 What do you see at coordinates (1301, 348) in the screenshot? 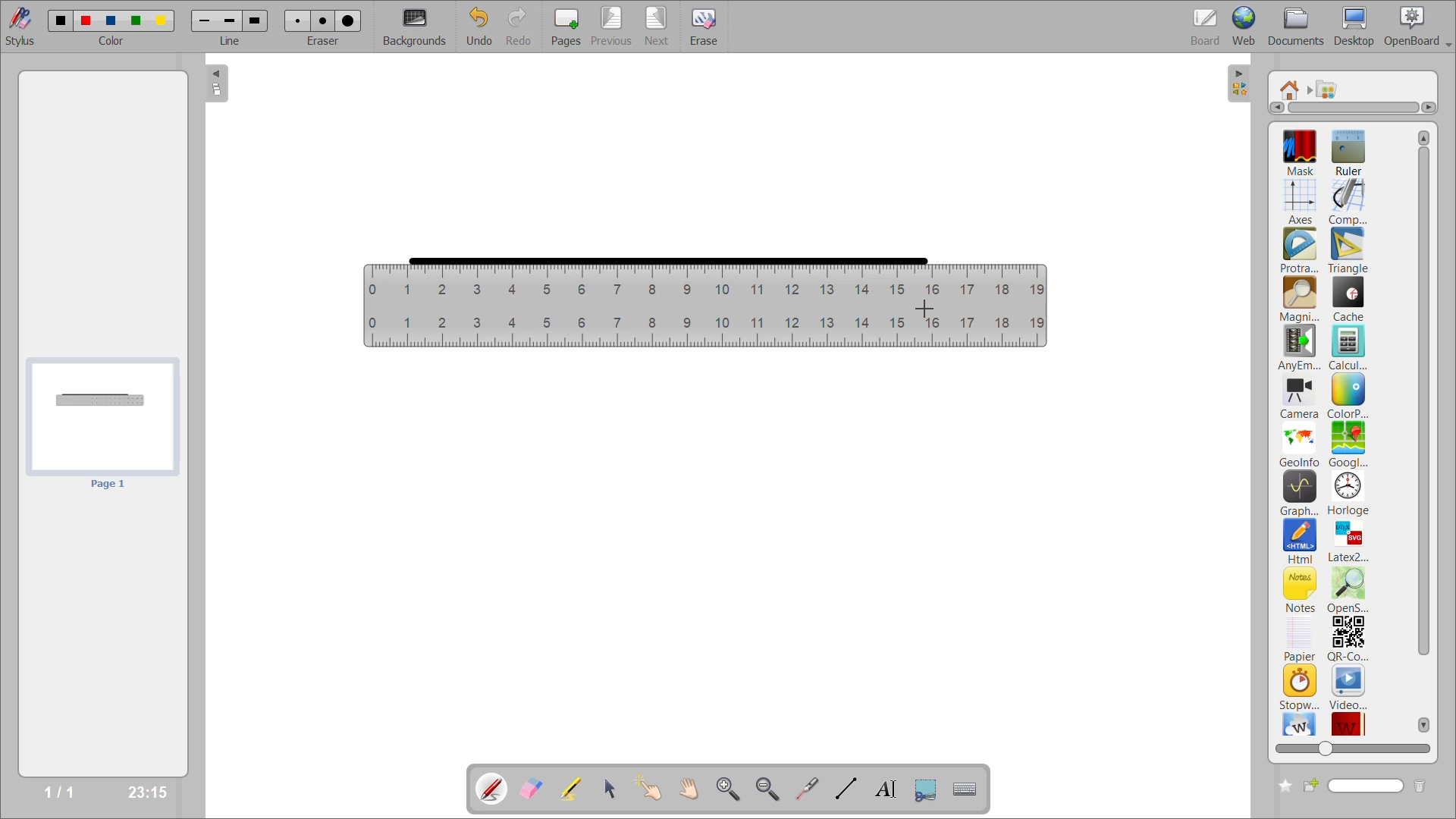
I see `anyembed` at bounding box center [1301, 348].